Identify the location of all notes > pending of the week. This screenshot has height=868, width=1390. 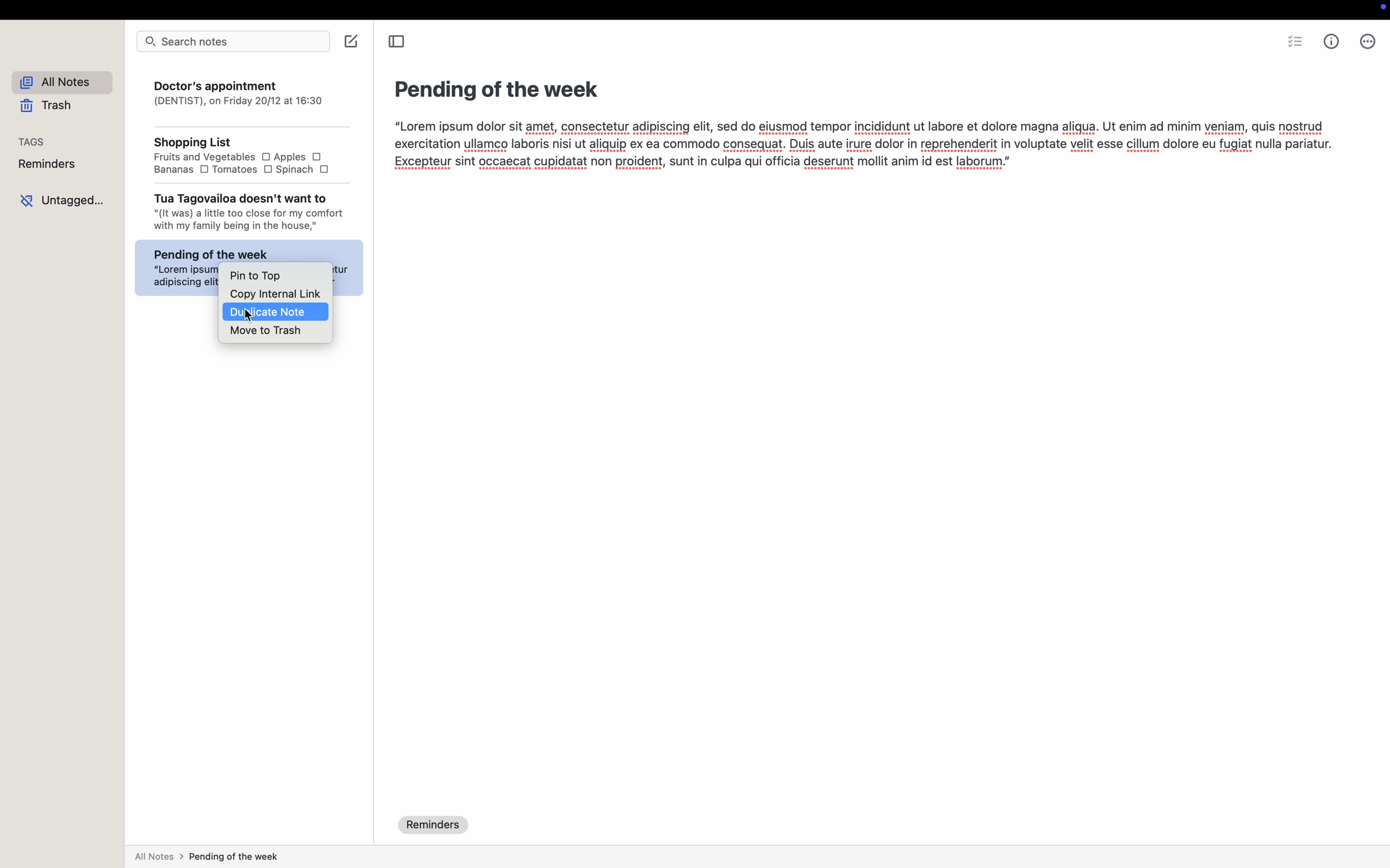
(211, 857).